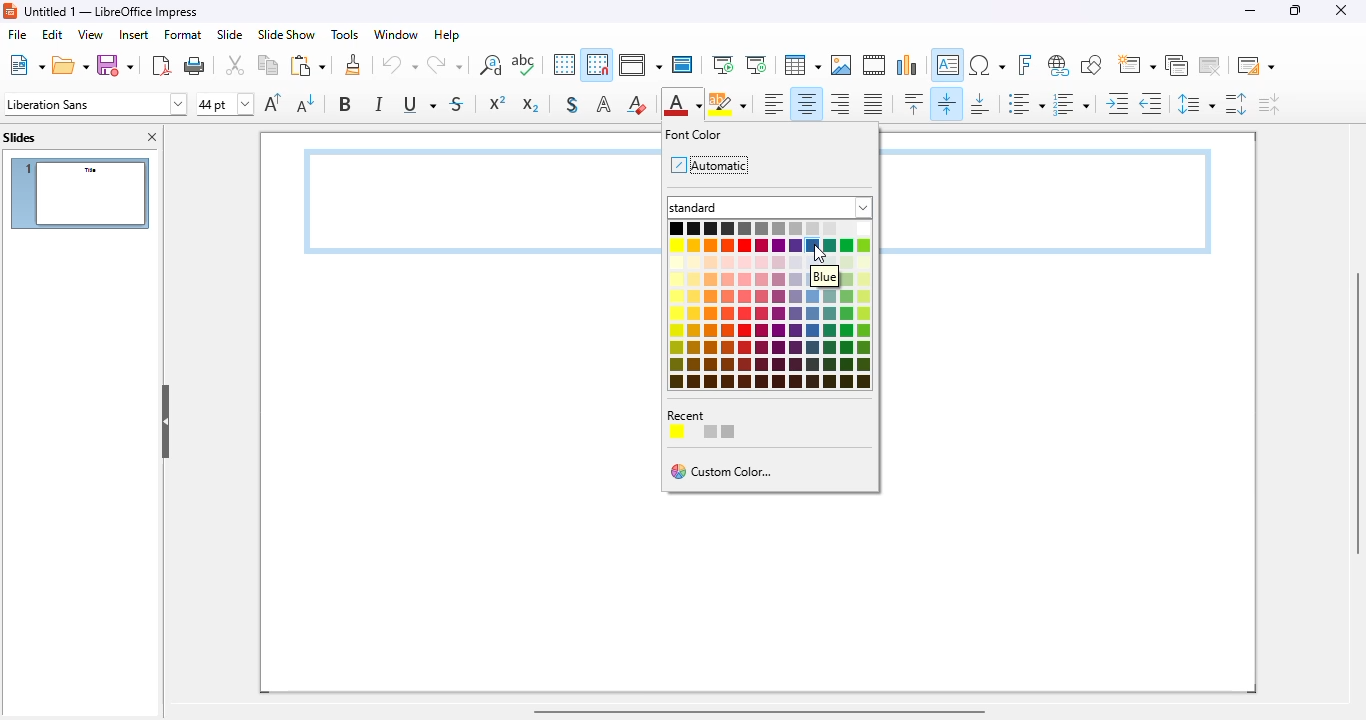  Describe the element at coordinates (825, 276) in the screenshot. I see `blue` at that location.